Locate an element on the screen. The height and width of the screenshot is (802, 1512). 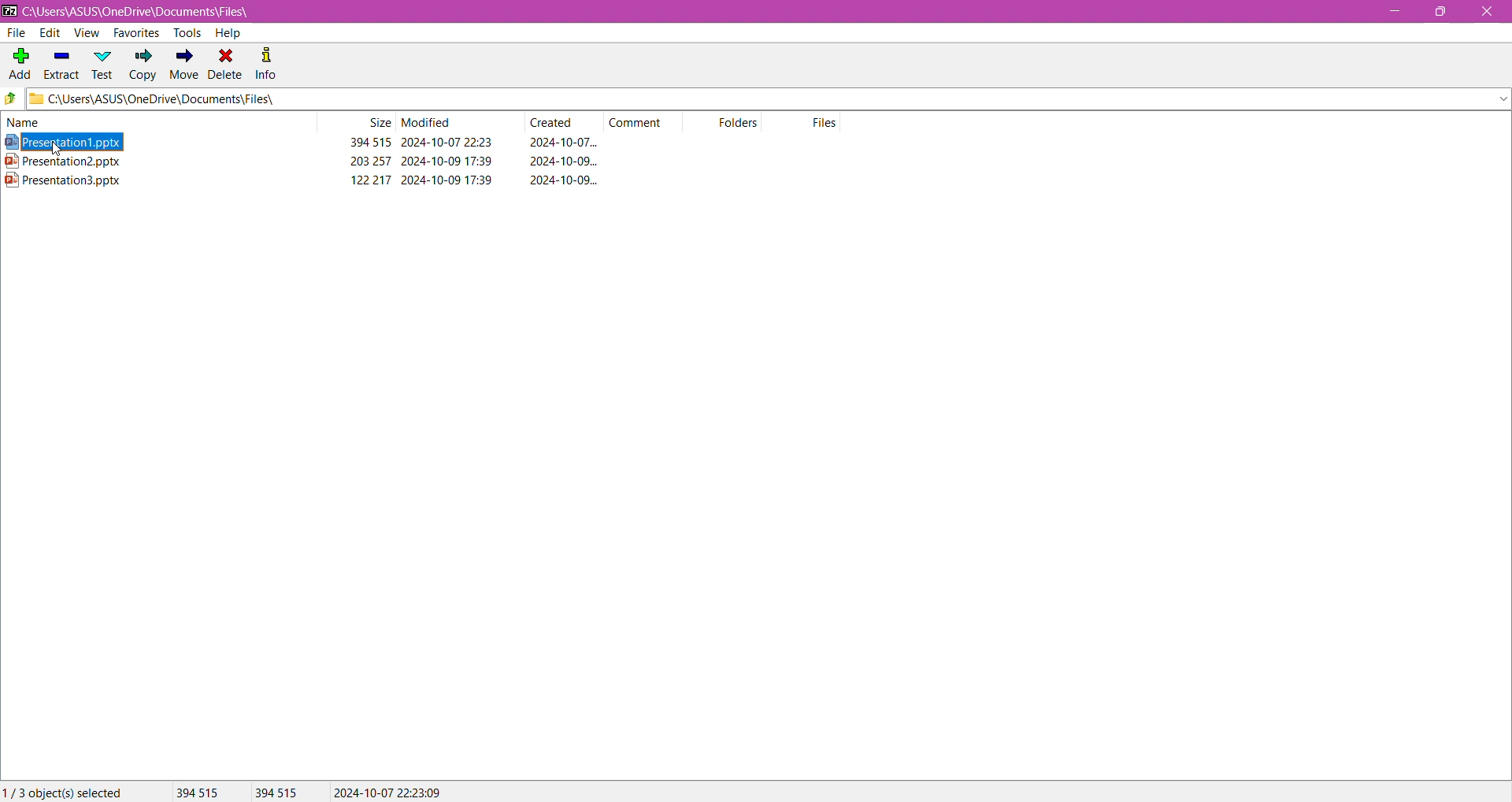
Extract is located at coordinates (61, 61).